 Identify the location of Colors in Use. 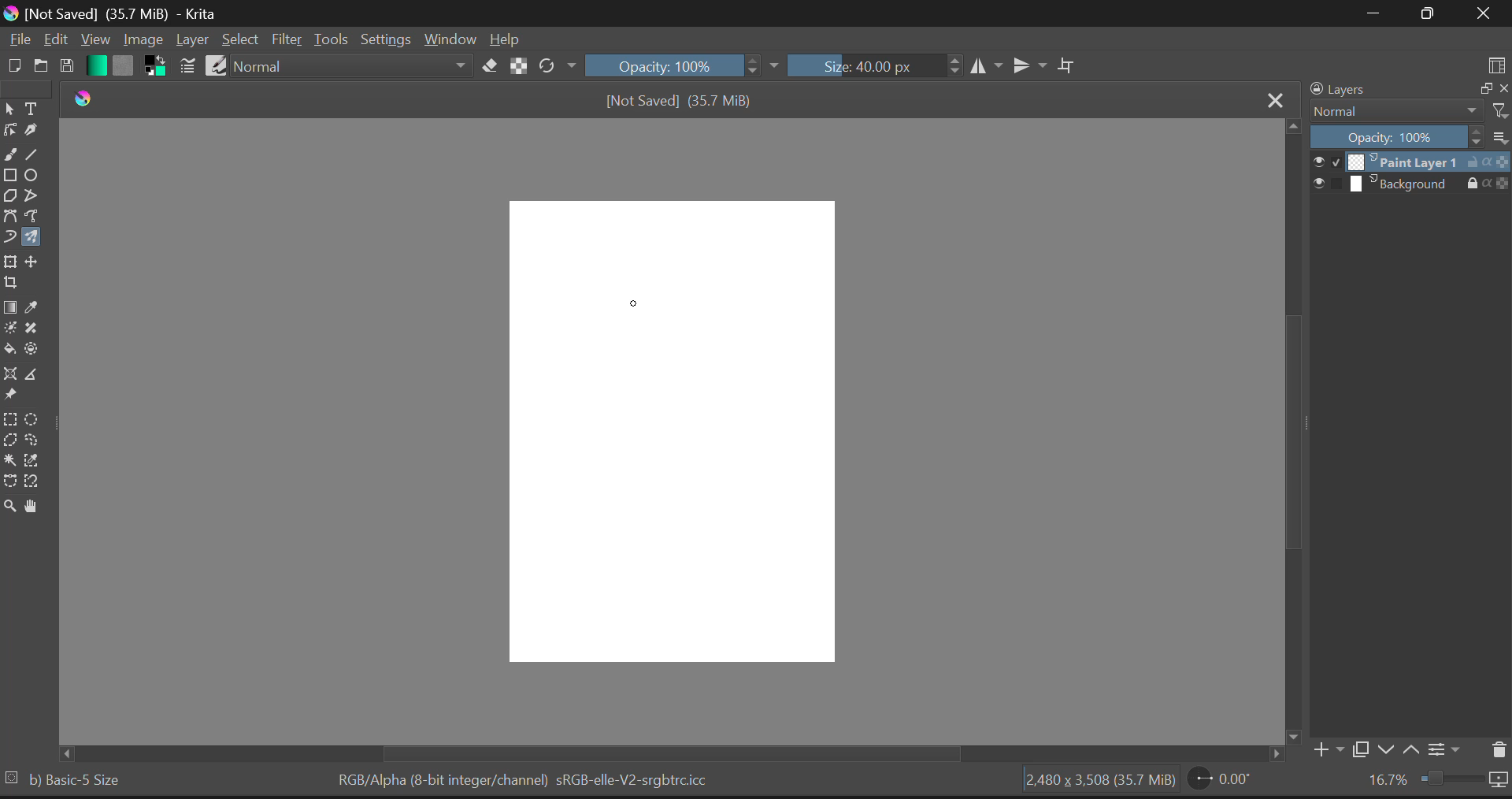
(154, 65).